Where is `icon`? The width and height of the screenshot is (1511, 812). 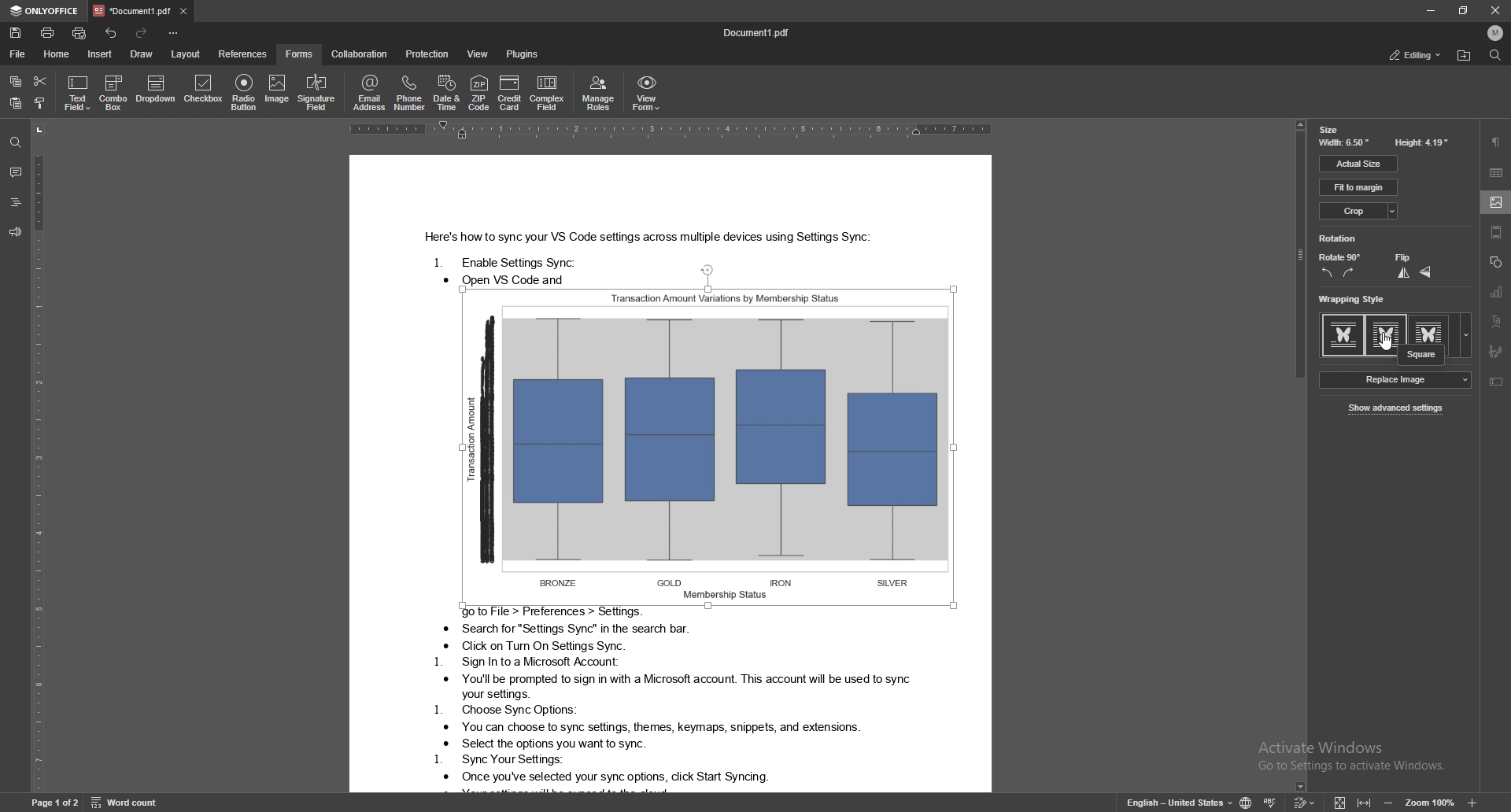
icon is located at coordinates (1369, 802).